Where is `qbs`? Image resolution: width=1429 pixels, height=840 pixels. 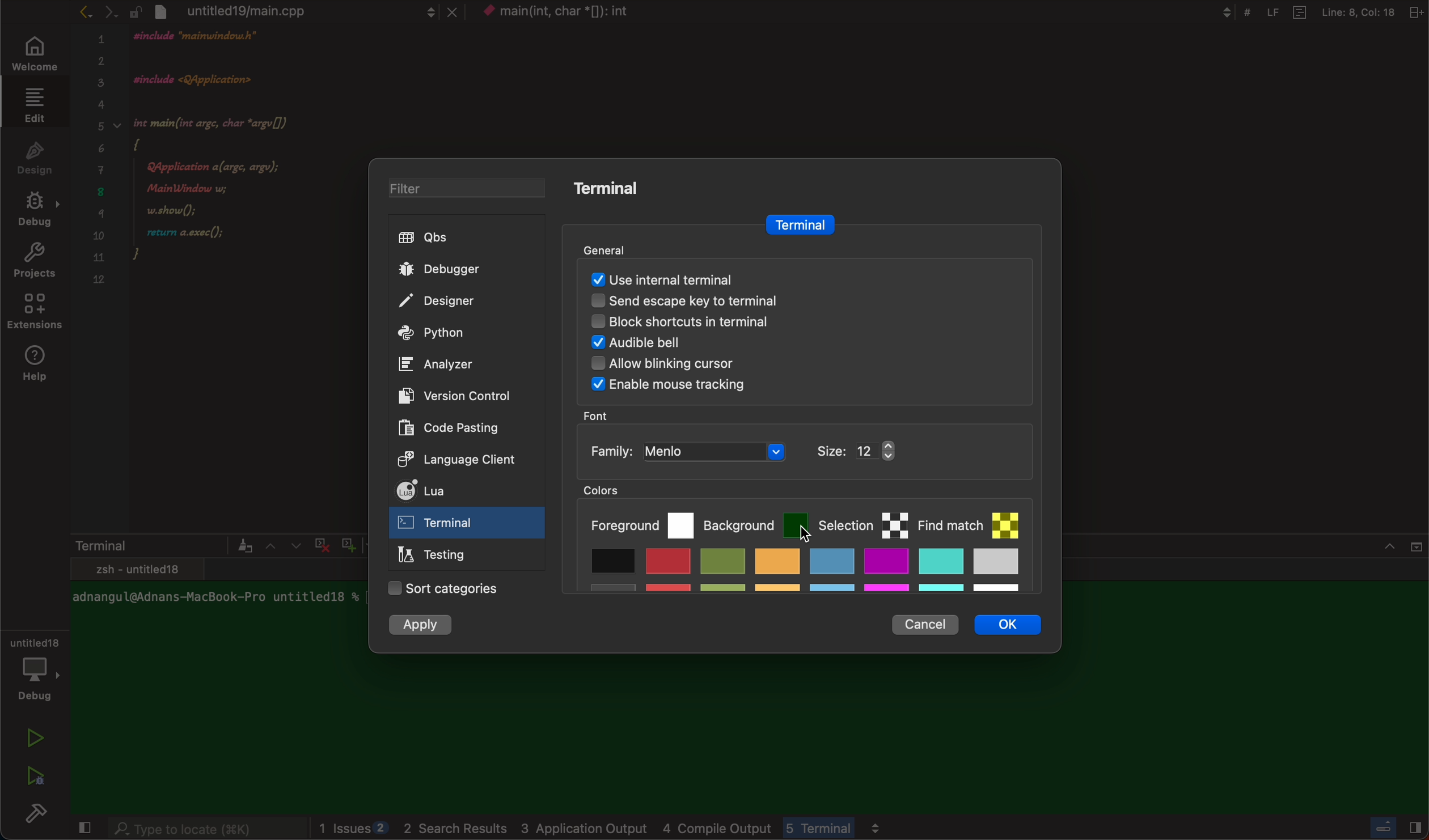
qbs is located at coordinates (461, 238).